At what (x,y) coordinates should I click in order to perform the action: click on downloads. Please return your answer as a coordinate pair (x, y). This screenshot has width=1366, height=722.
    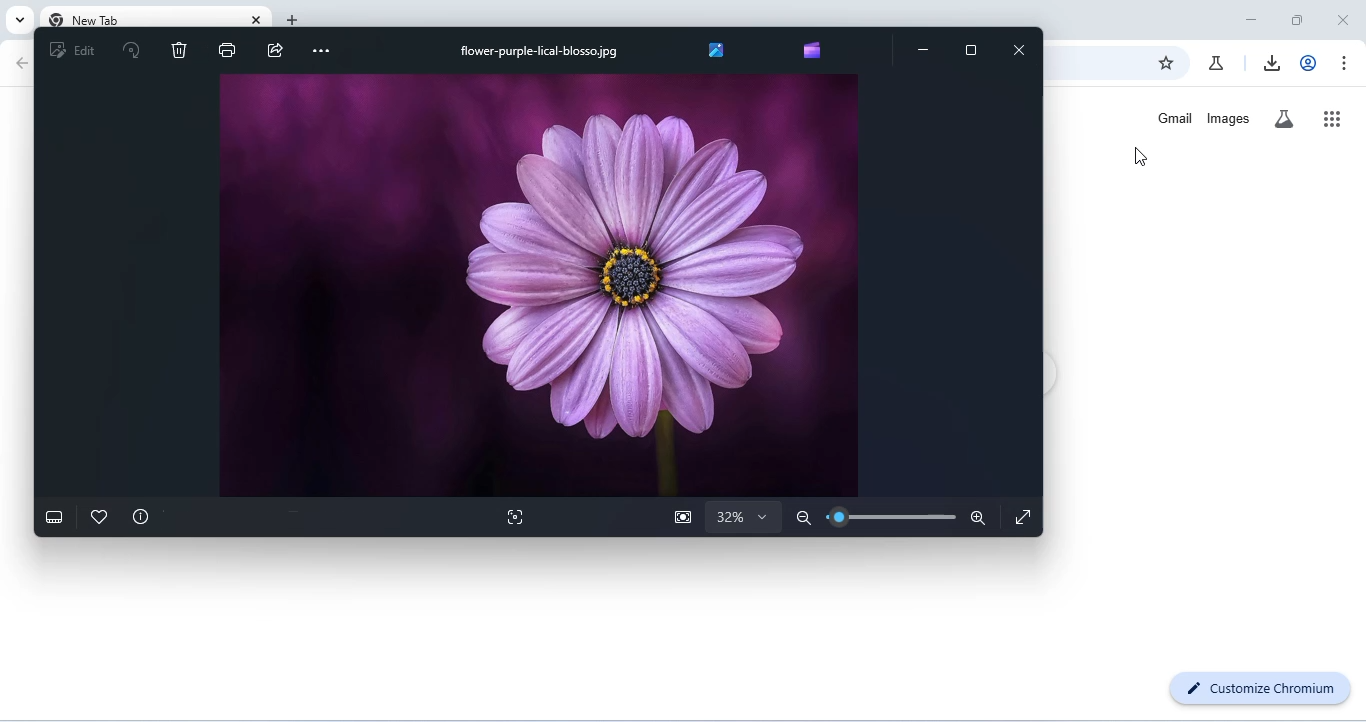
    Looking at the image, I should click on (1272, 62).